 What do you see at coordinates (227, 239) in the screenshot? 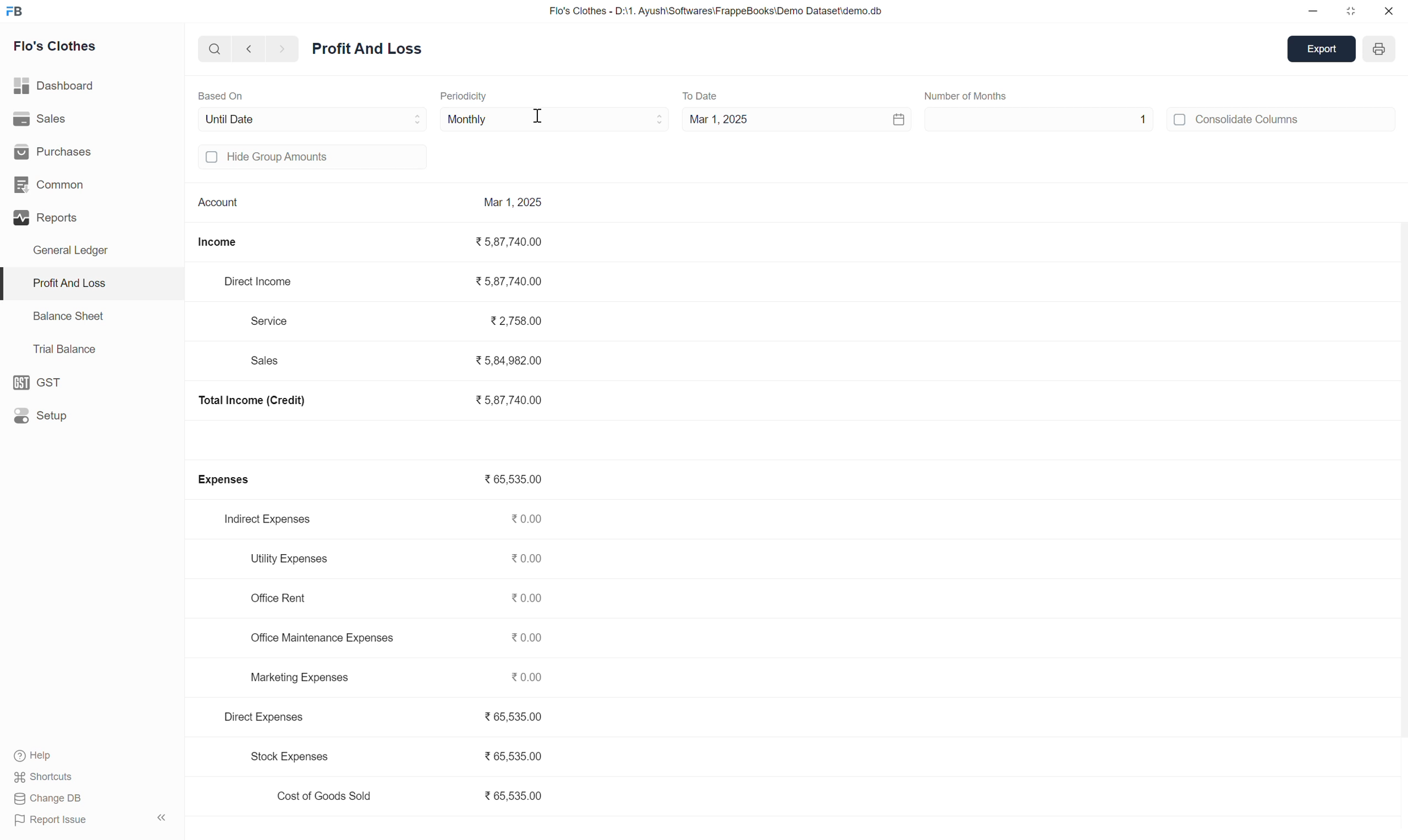
I see `Income` at bounding box center [227, 239].